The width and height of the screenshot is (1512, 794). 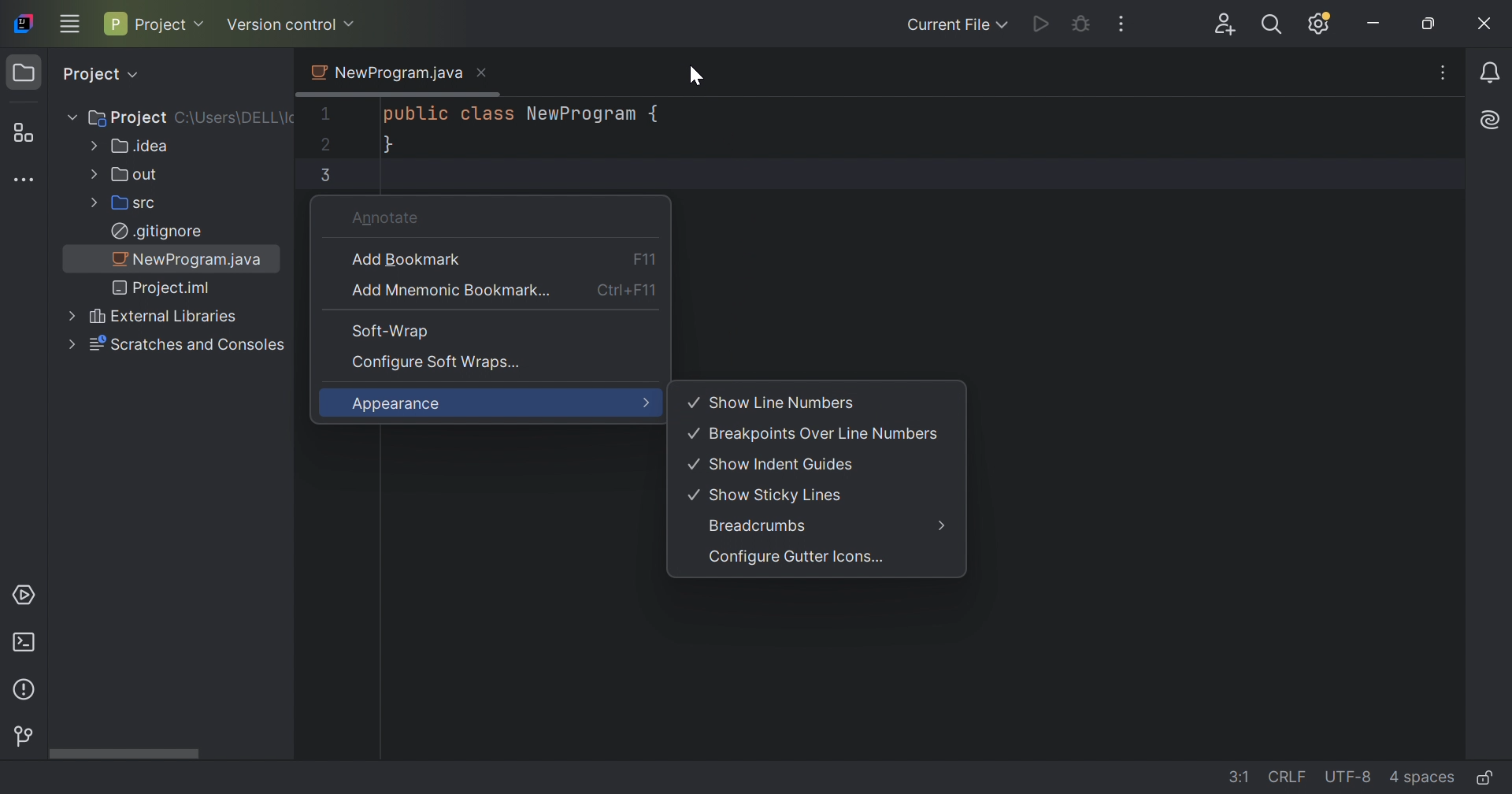 What do you see at coordinates (165, 288) in the screenshot?
I see `Project.iml` at bounding box center [165, 288].